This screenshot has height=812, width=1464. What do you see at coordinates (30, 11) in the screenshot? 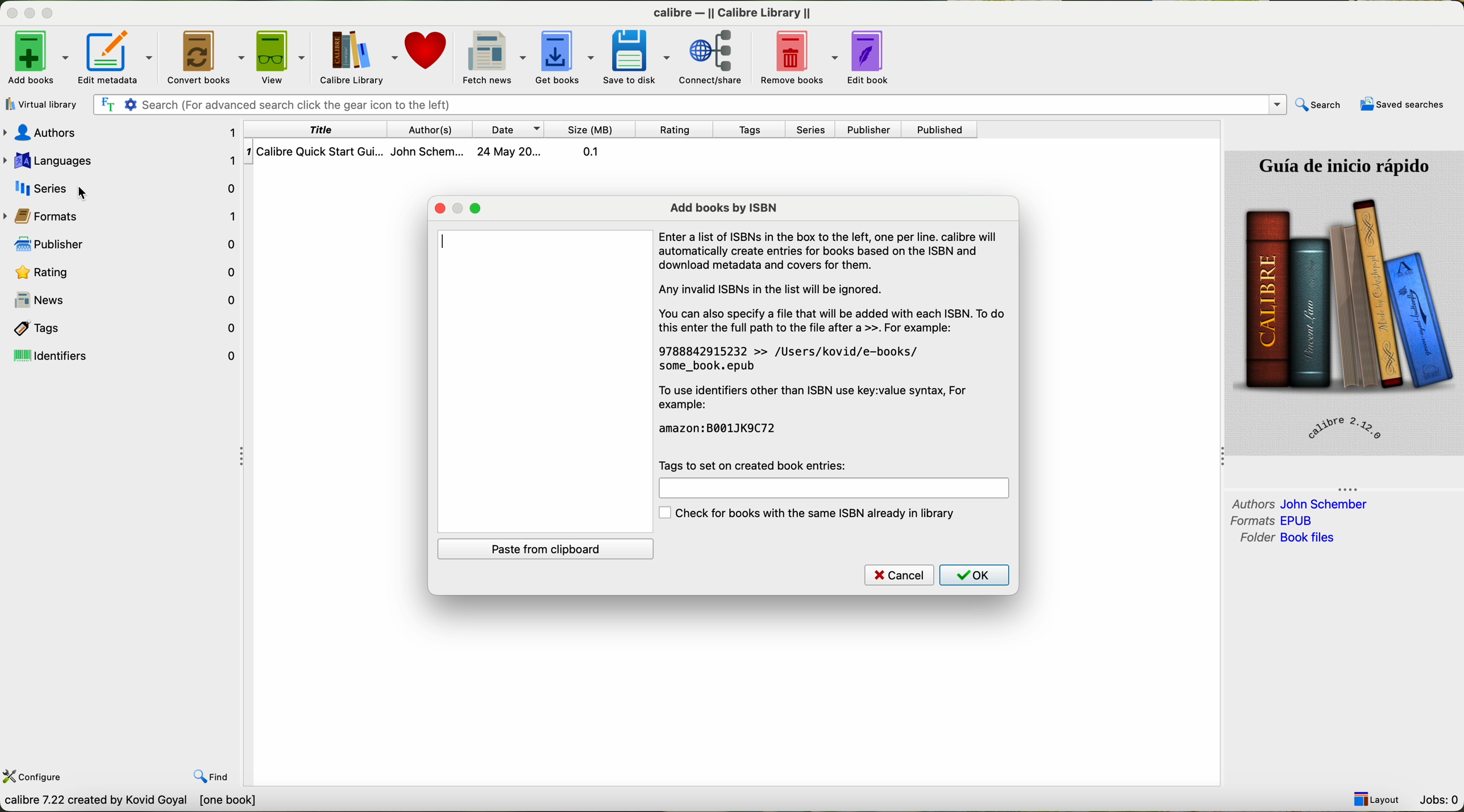
I see `disable buttons` at bounding box center [30, 11].